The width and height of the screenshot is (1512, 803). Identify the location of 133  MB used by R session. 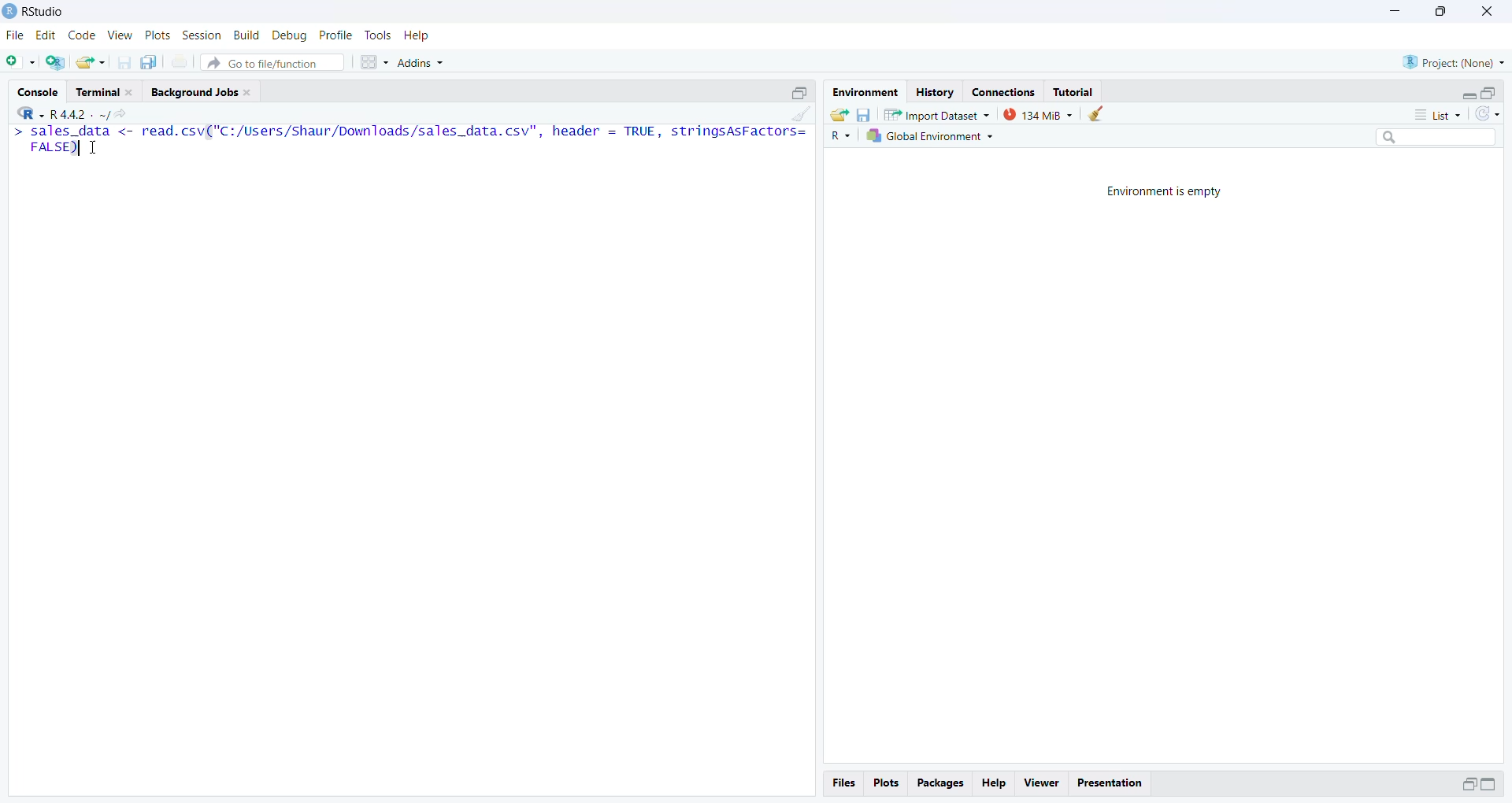
(1039, 117).